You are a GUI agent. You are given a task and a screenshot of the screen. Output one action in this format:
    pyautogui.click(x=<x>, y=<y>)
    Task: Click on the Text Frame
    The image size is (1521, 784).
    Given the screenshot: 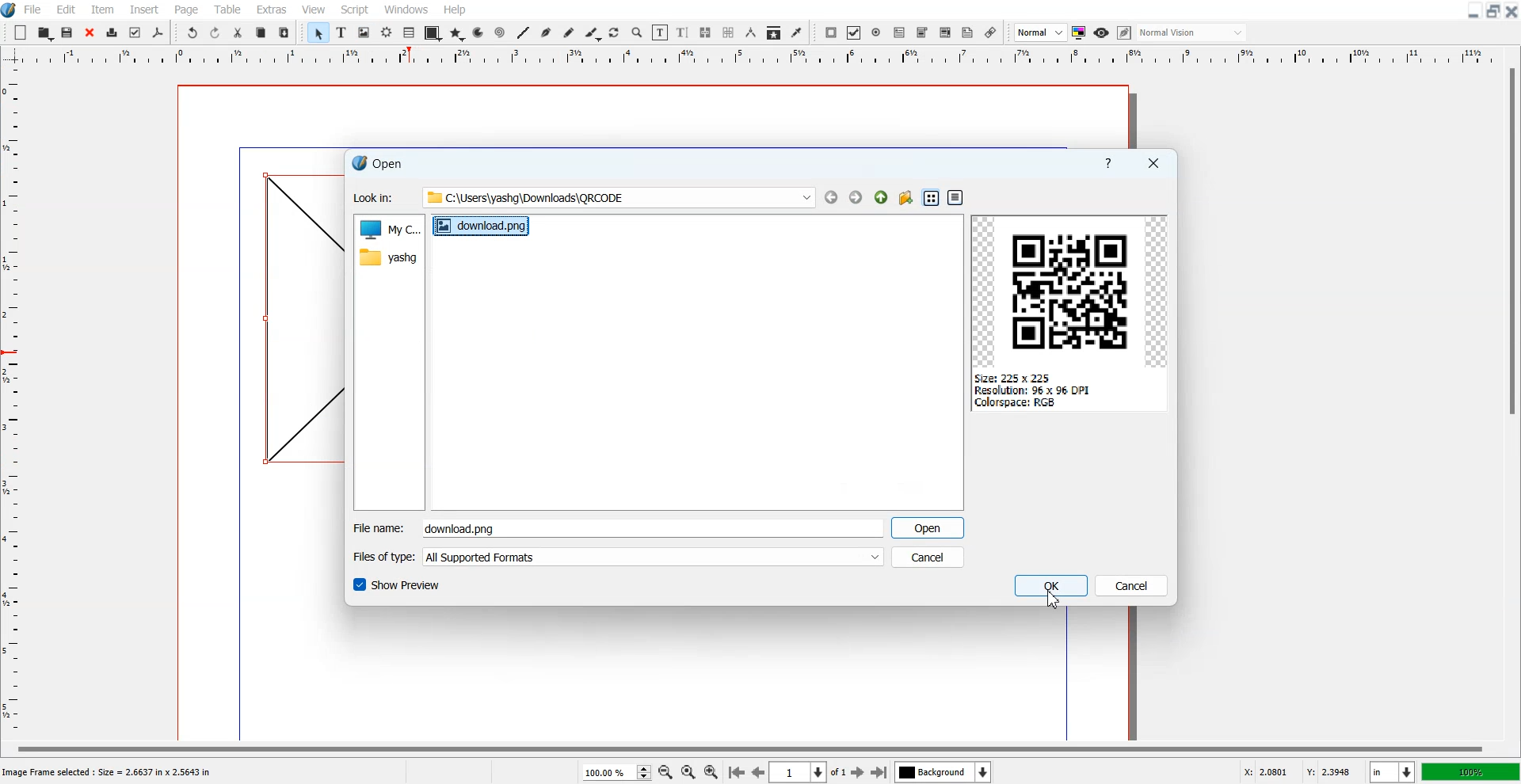 What is the action you would take?
    pyautogui.click(x=341, y=32)
    